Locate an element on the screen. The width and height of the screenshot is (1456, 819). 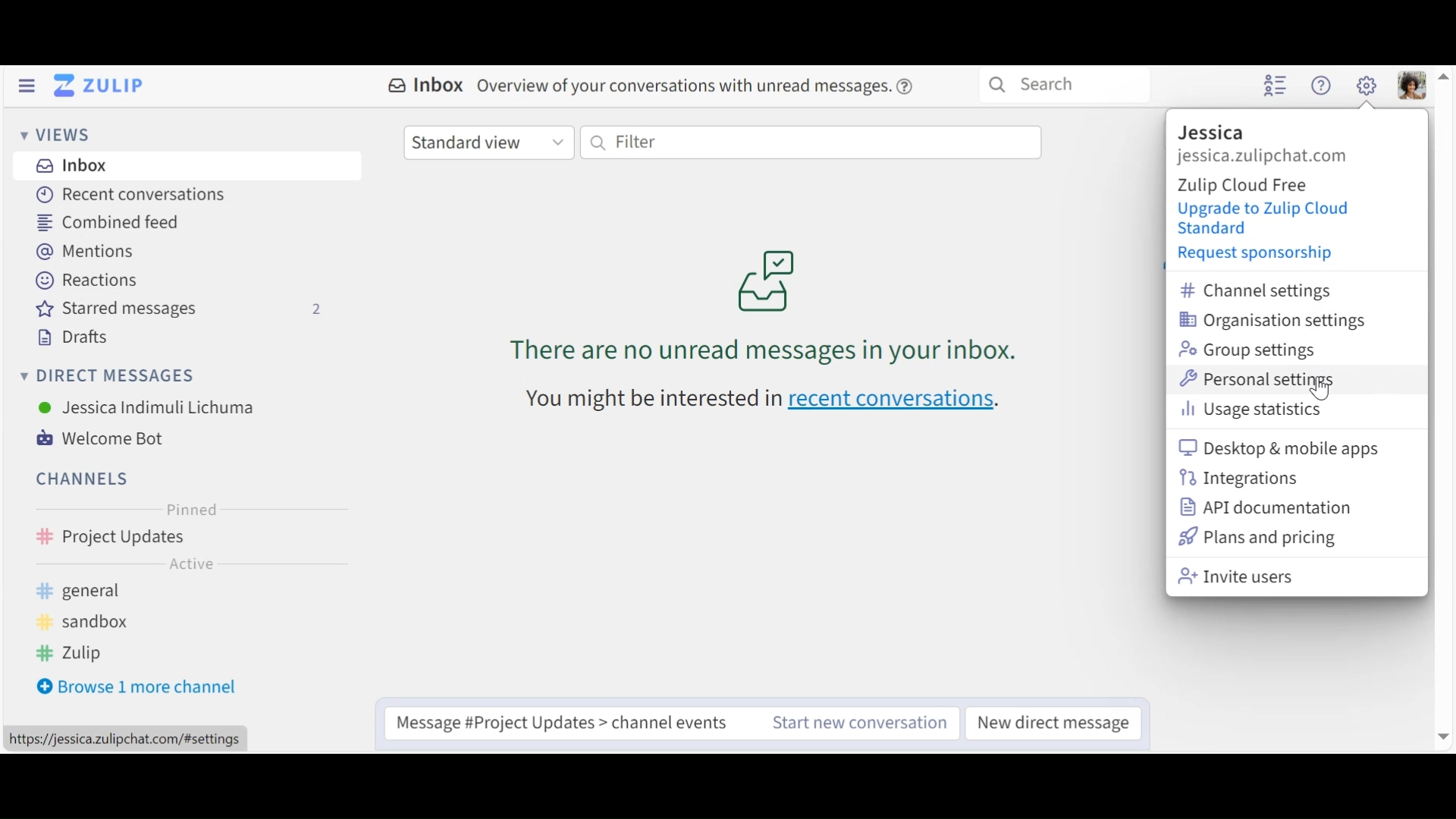
Filter by text is located at coordinates (809, 143).